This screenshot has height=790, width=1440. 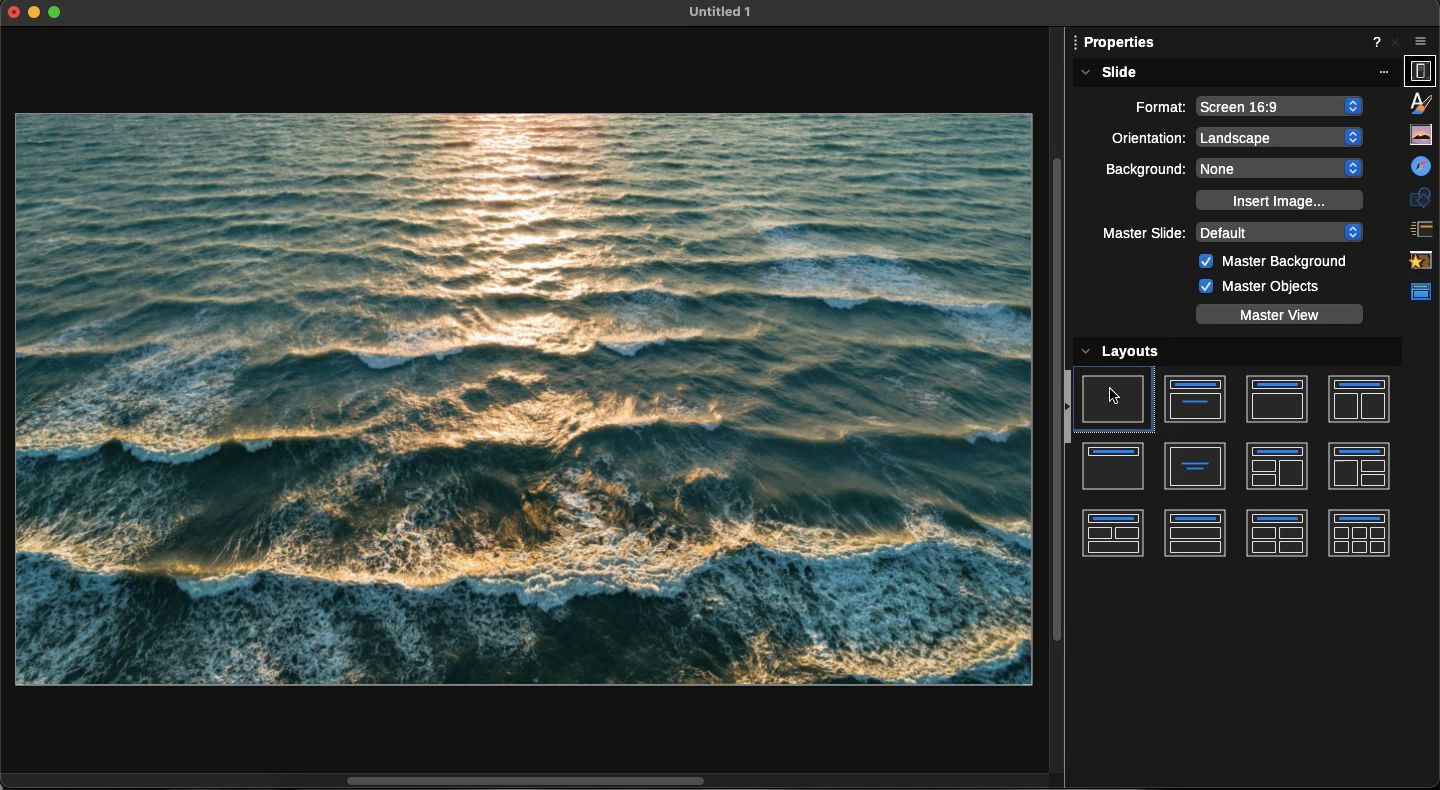 I want to click on Master view, so click(x=1279, y=314).